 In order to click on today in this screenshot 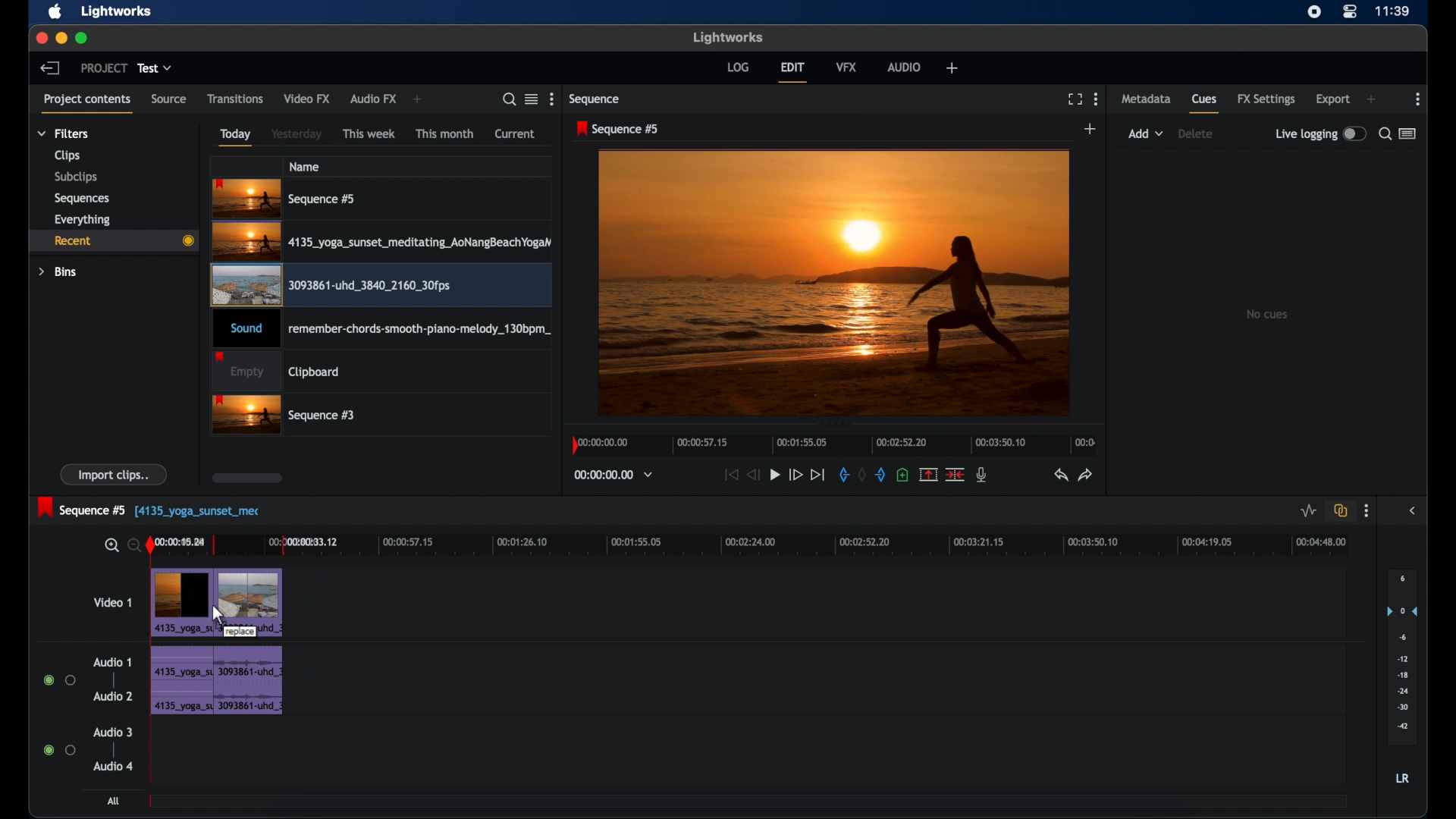, I will do `click(236, 137)`.